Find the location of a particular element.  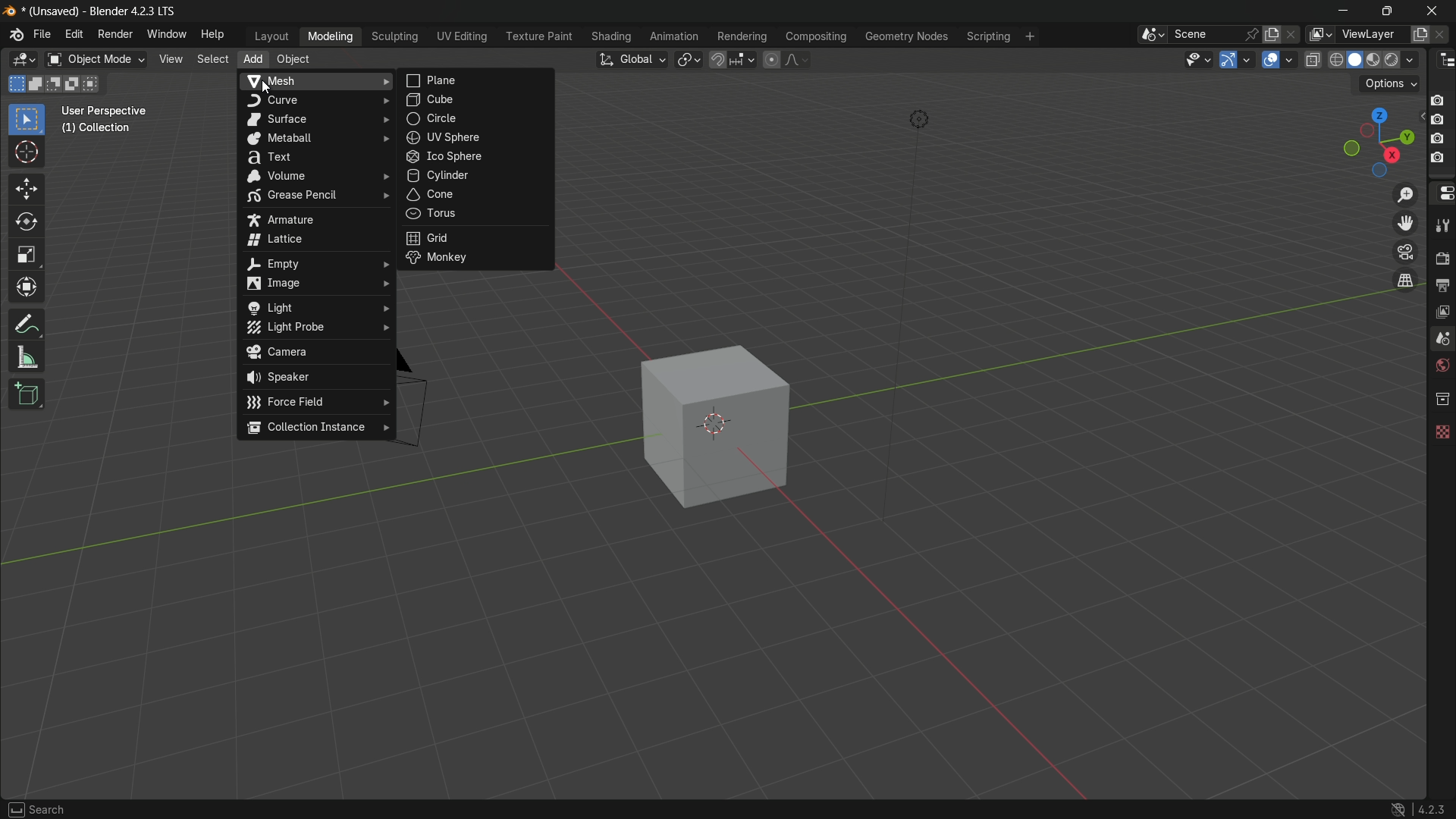

world is located at coordinates (1442, 366).